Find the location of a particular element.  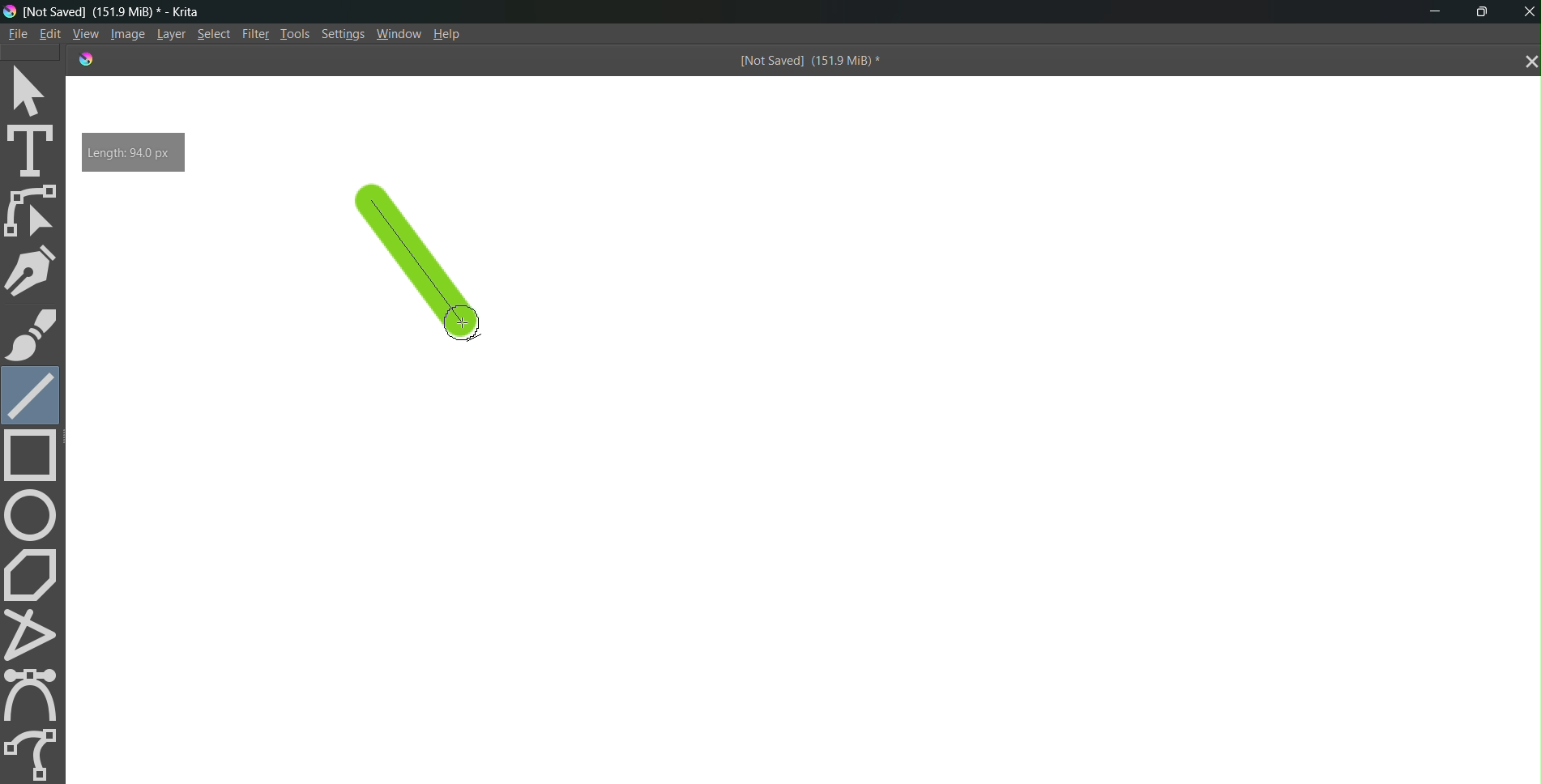

logo is located at coordinates (10, 11).